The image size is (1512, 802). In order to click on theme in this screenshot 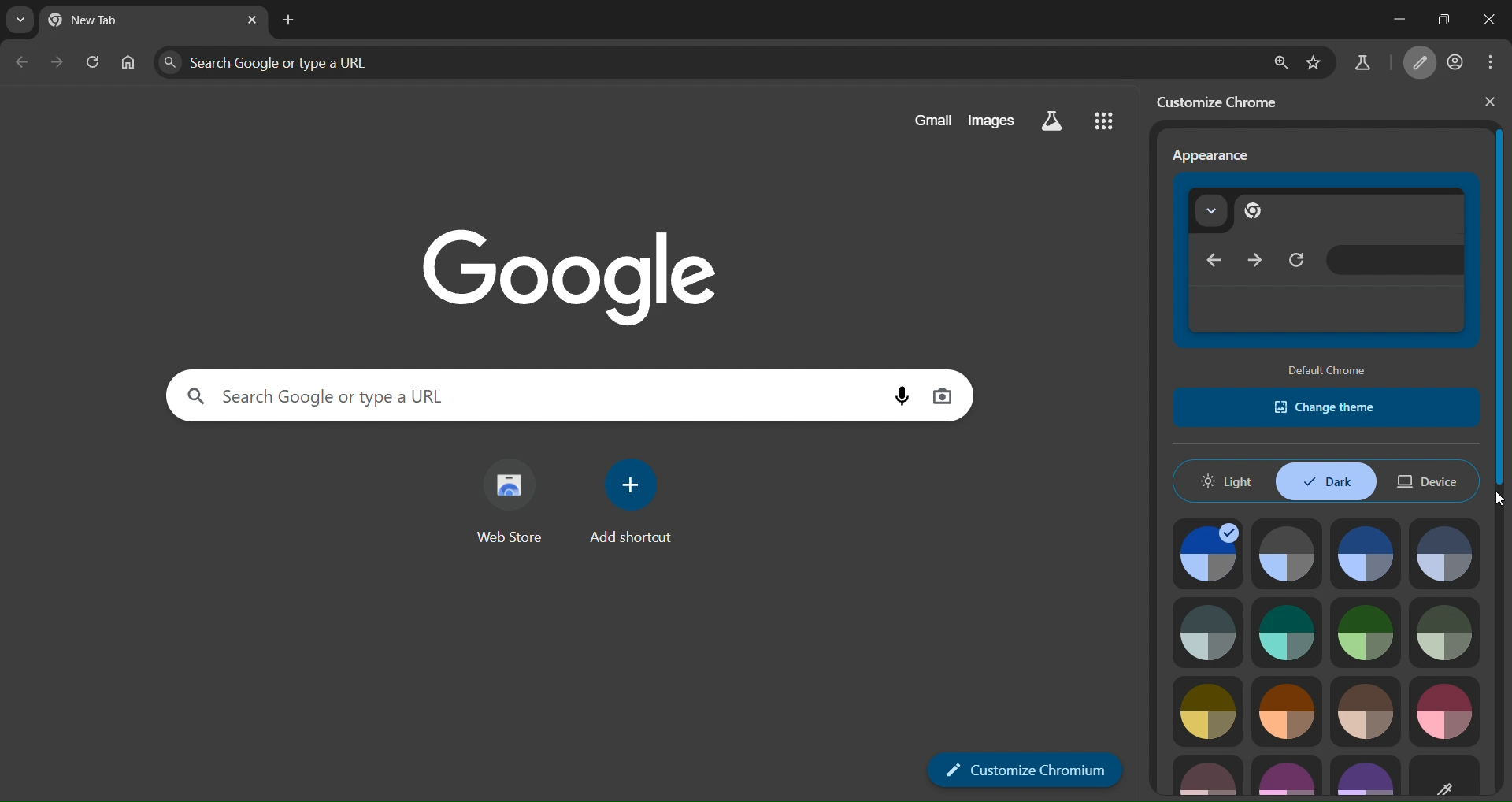, I will do `click(1206, 711)`.